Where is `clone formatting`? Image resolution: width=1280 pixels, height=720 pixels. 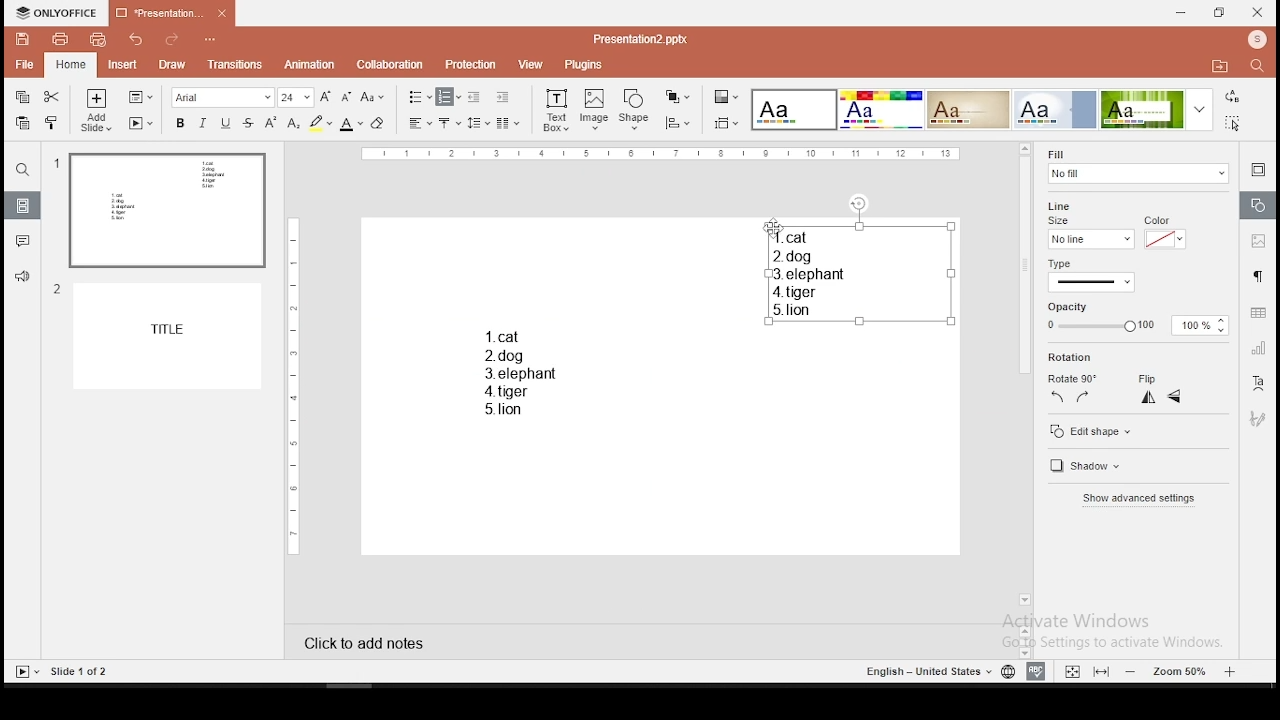
clone formatting is located at coordinates (54, 123).